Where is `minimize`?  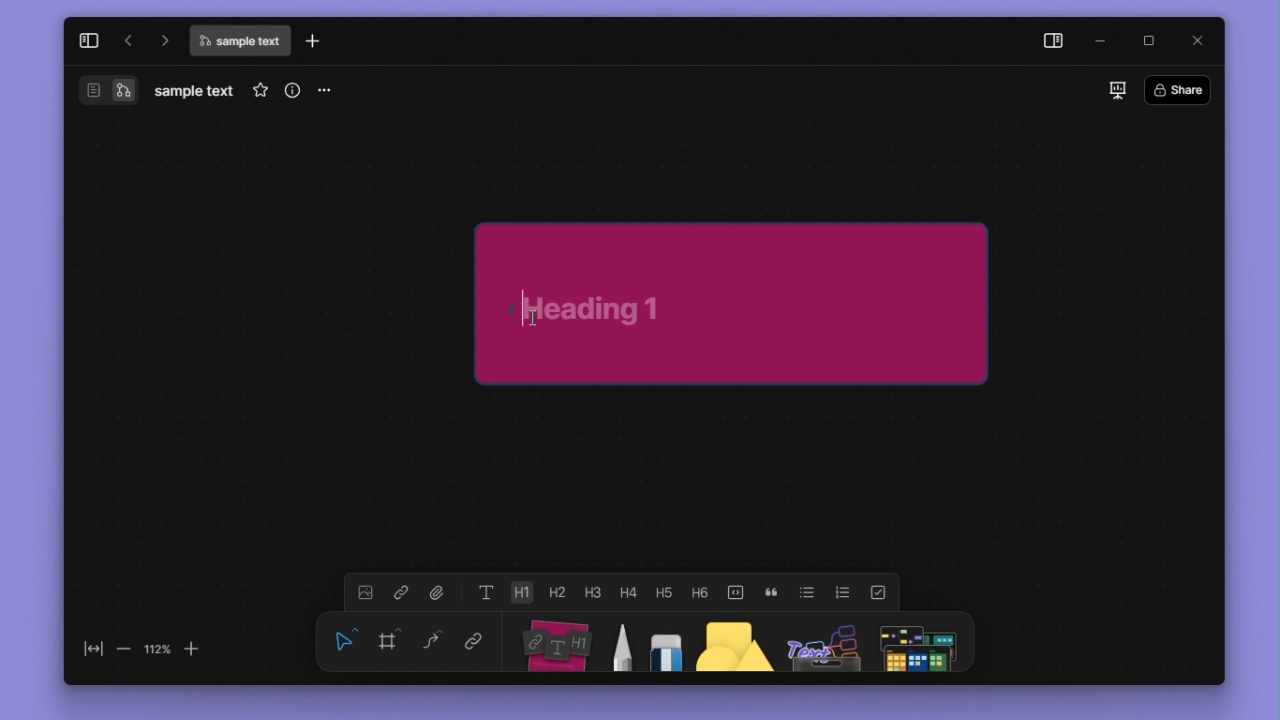
minimize is located at coordinates (1102, 42).